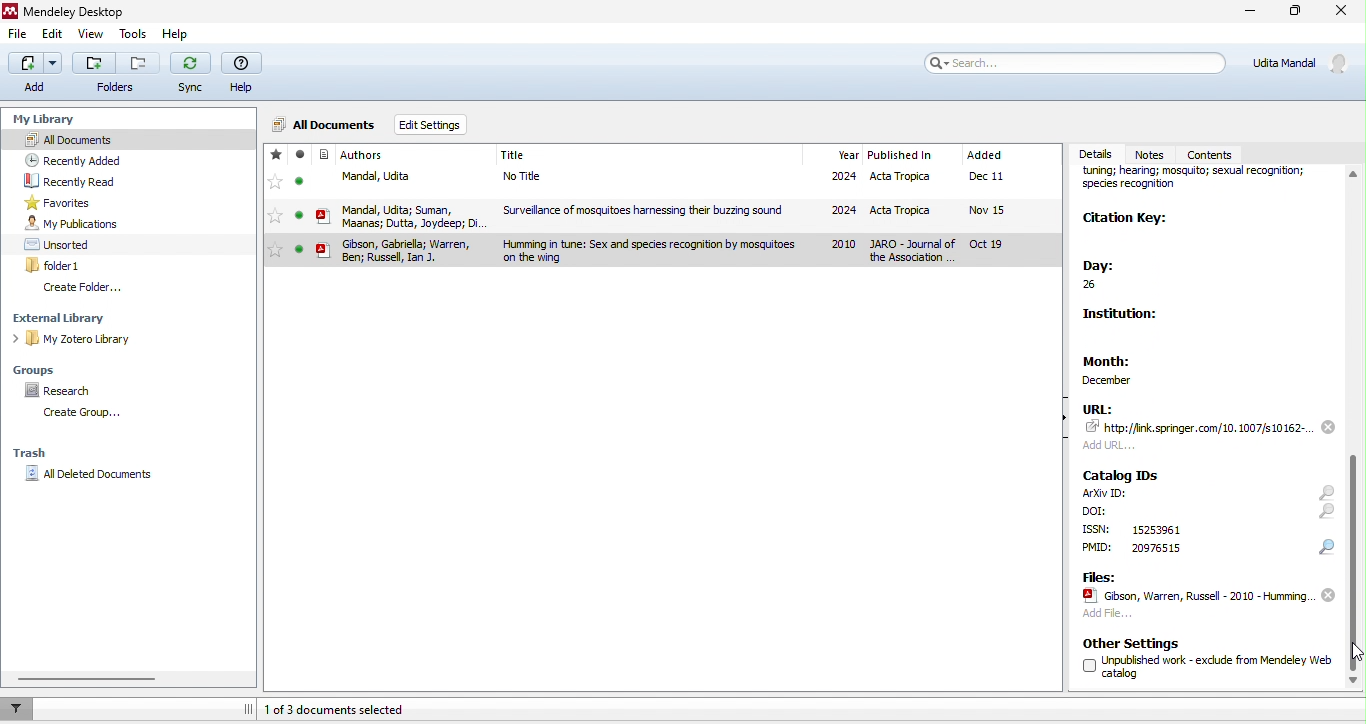 The height and width of the screenshot is (724, 1366). I want to click on link, so click(1200, 427).